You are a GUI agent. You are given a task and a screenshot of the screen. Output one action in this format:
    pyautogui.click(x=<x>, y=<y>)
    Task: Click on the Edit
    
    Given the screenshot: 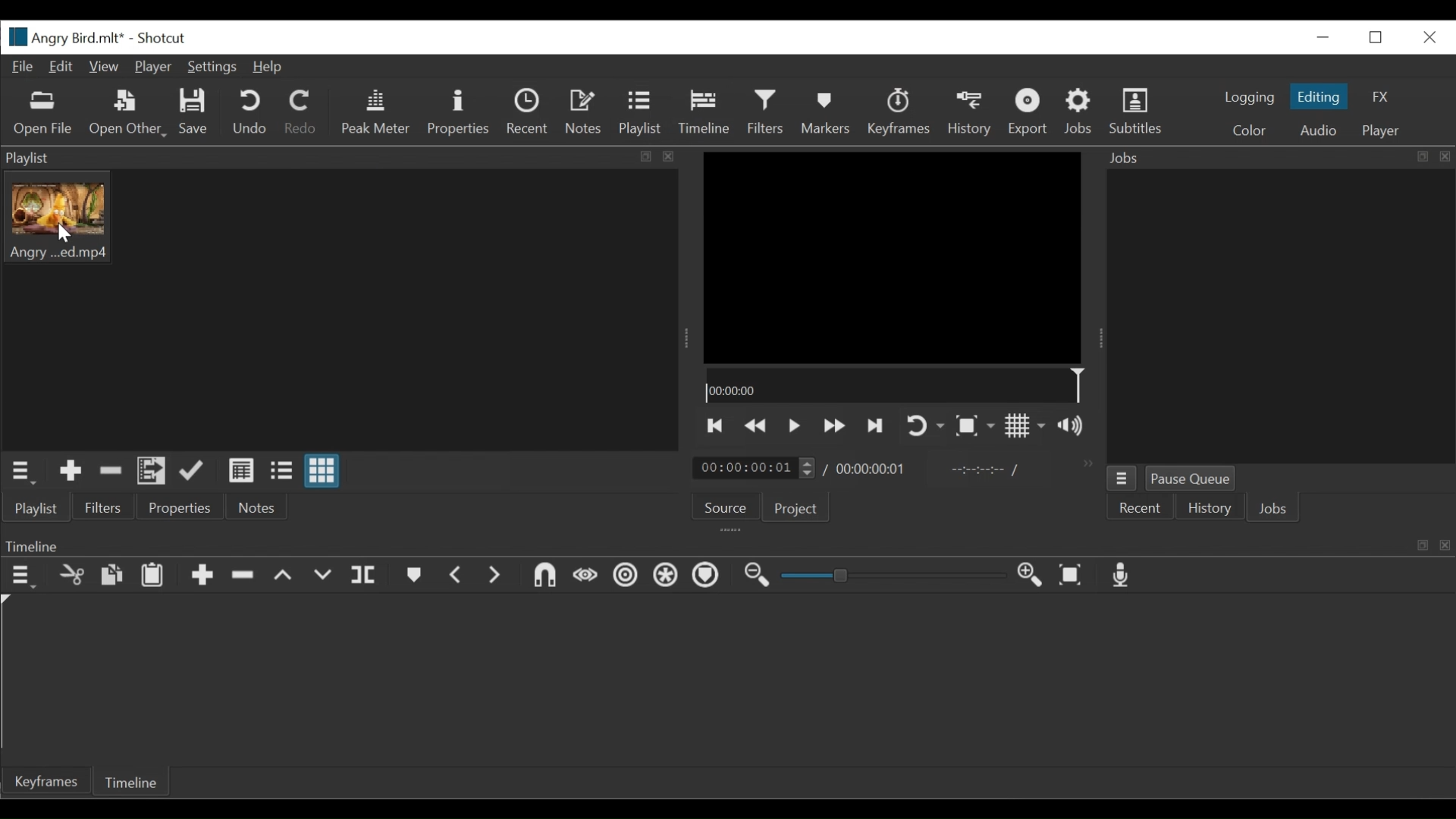 What is the action you would take?
    pyautogui.click(x=61, y=67)
    